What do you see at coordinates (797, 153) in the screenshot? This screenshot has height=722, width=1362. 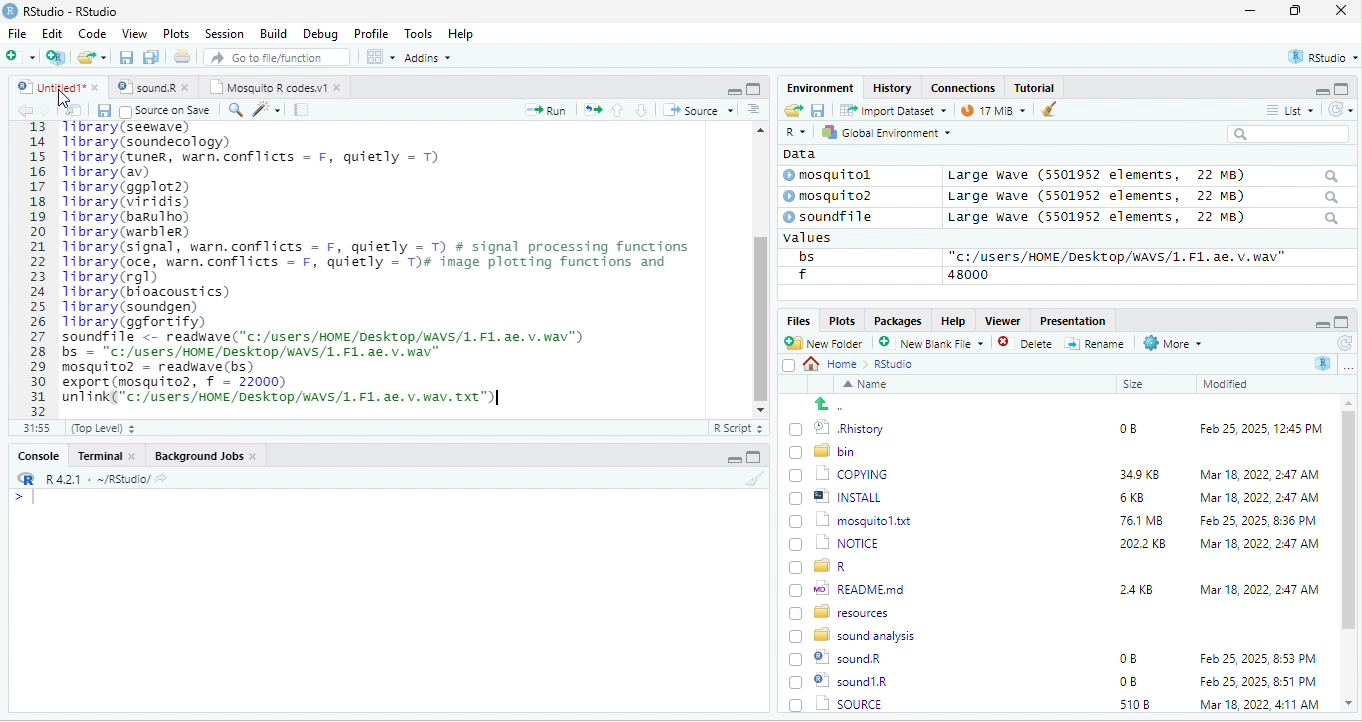 I see `data` at bounding box center [797, 153].